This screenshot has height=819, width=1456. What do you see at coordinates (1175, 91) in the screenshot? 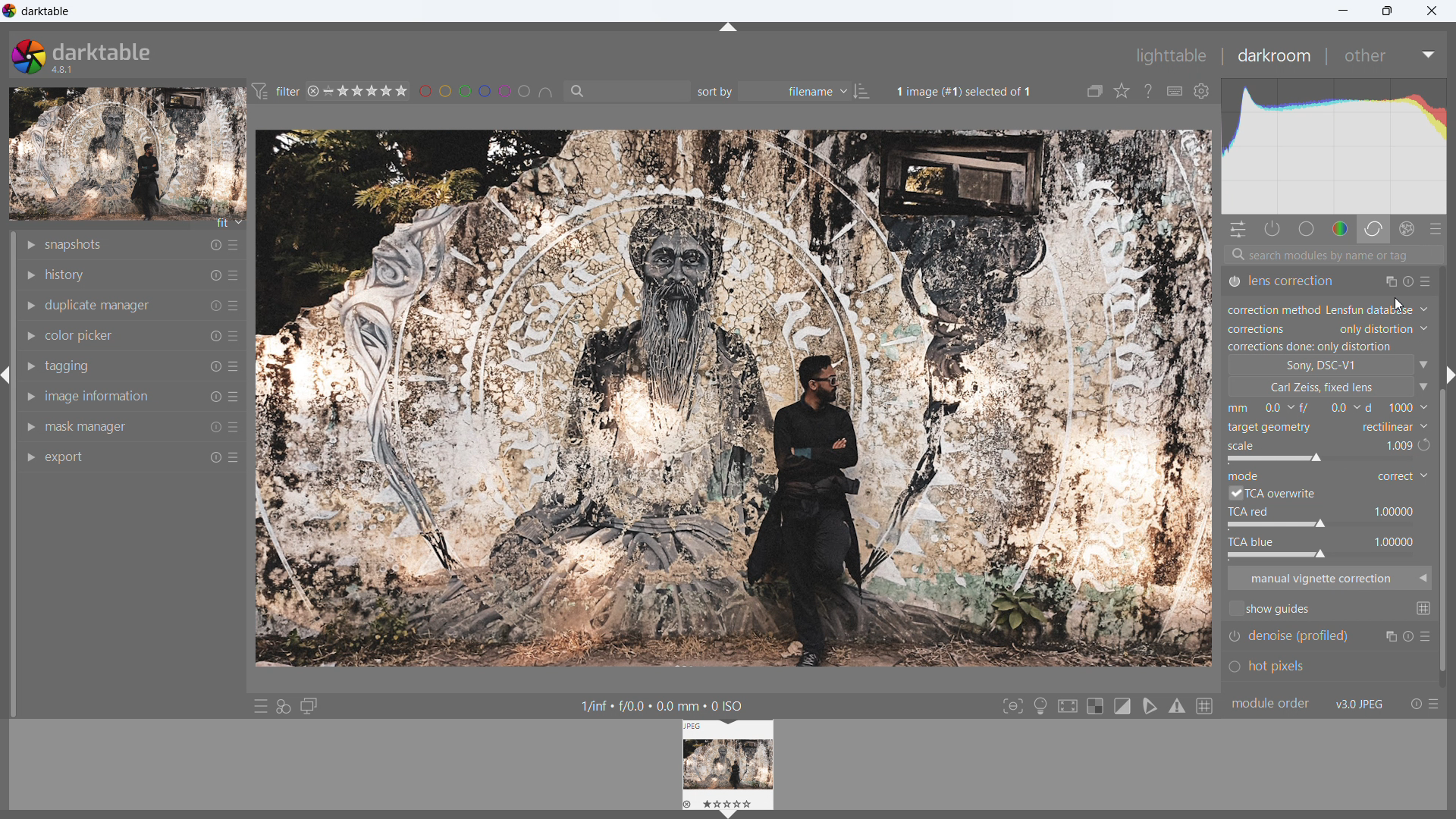
I see `define shortcuts` at bounding box center [1175, 91].